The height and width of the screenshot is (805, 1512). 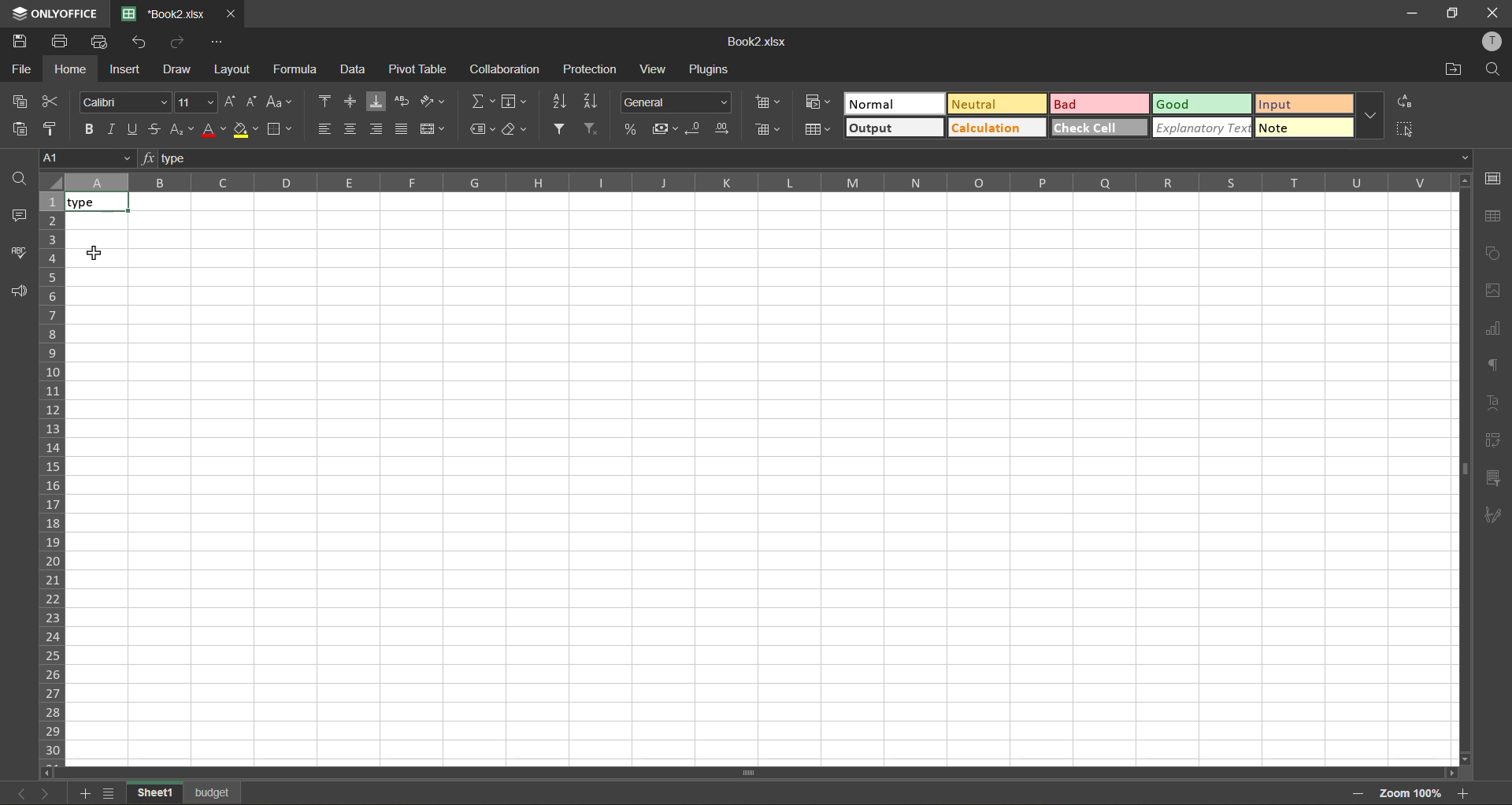 I want to click on copy, so click(x=20, y=102).